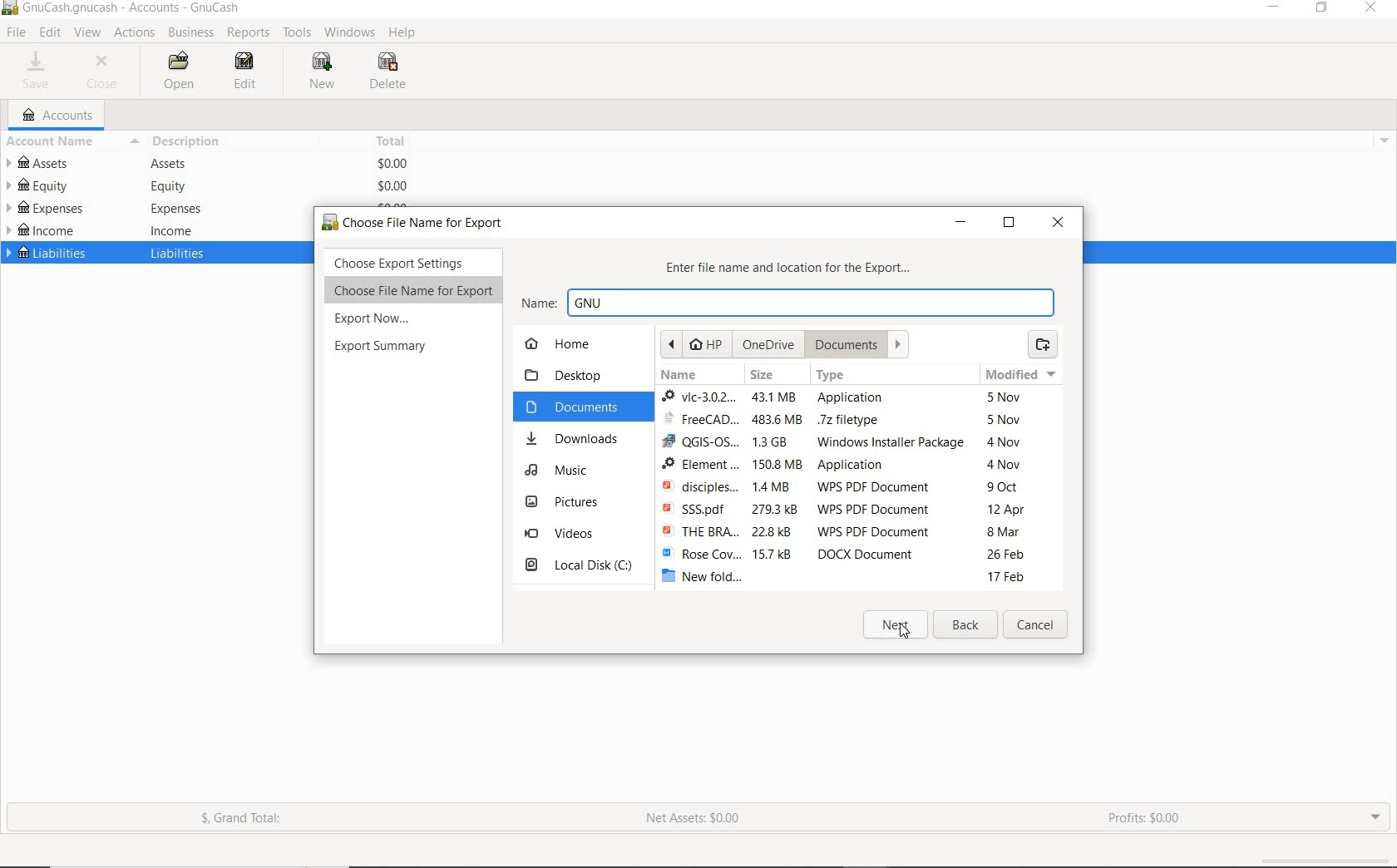 The image size is (1397, 868). Describe the element at coordinates (772, 345) in the screenshot. I see `OneDrie` at that location.